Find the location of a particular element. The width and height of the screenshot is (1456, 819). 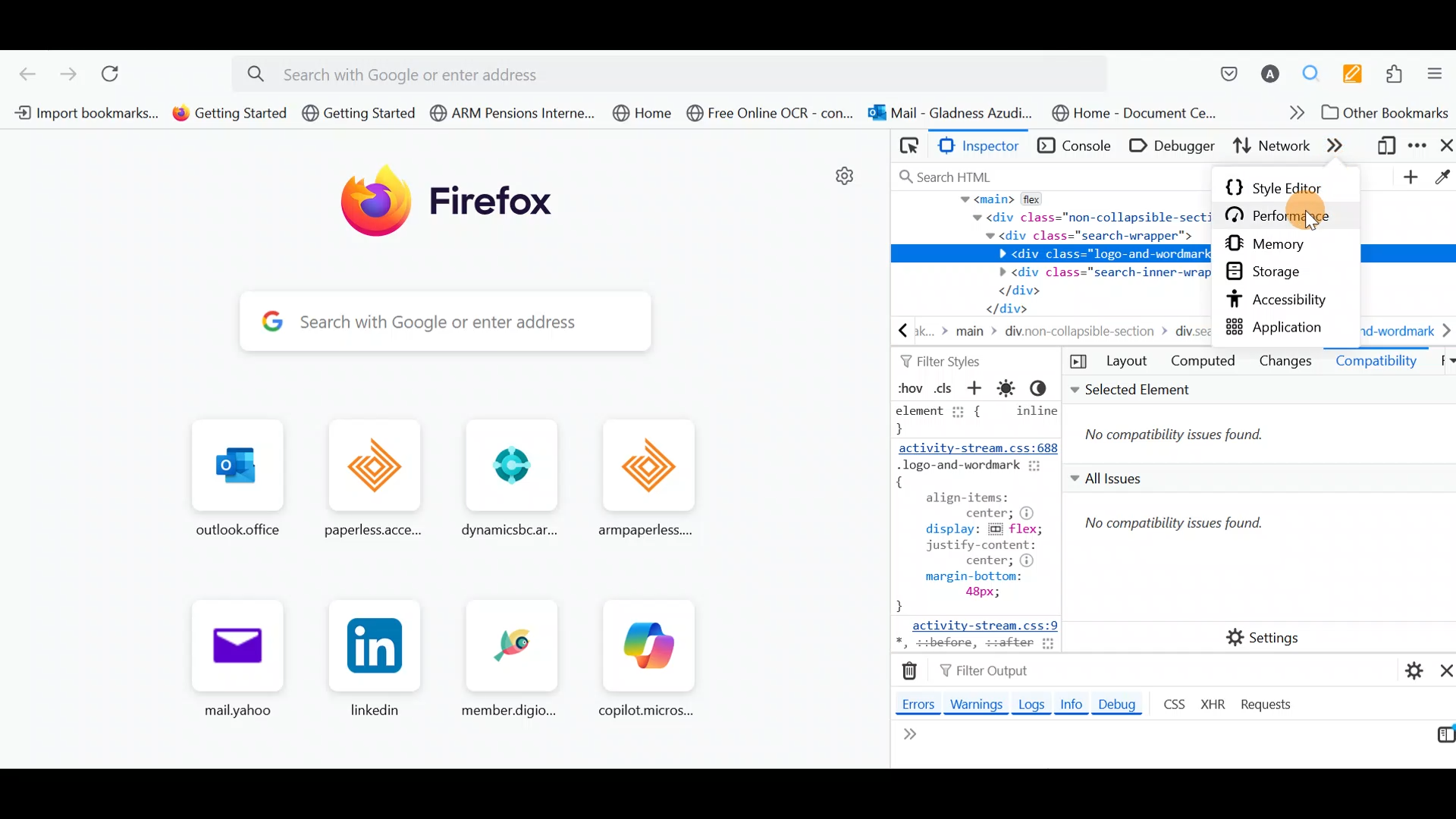

Search bar is located at coordinates (1049, 174).